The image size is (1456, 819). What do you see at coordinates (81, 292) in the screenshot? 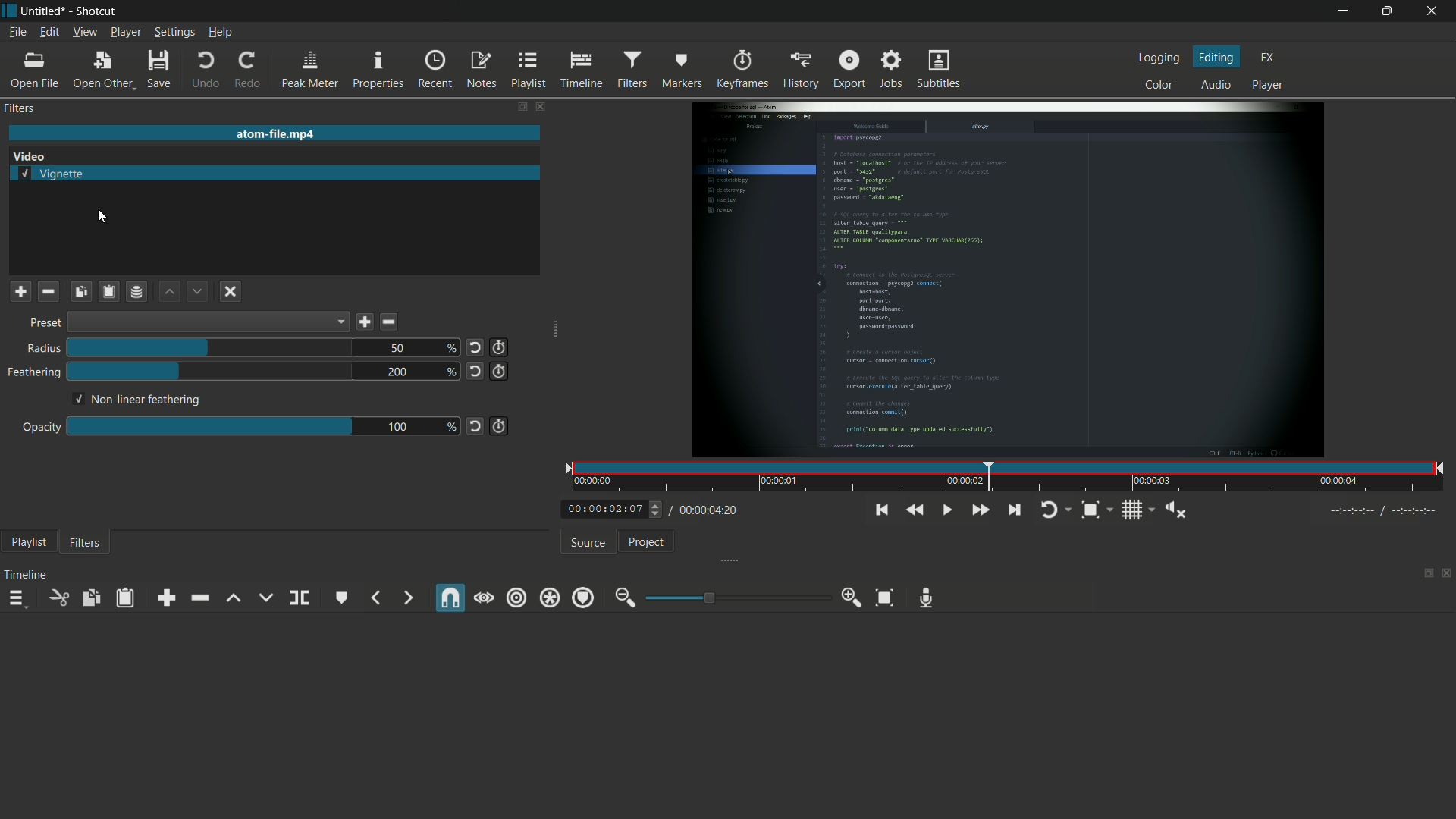
I see `copy checked filters` at bounding box center [81, 292].